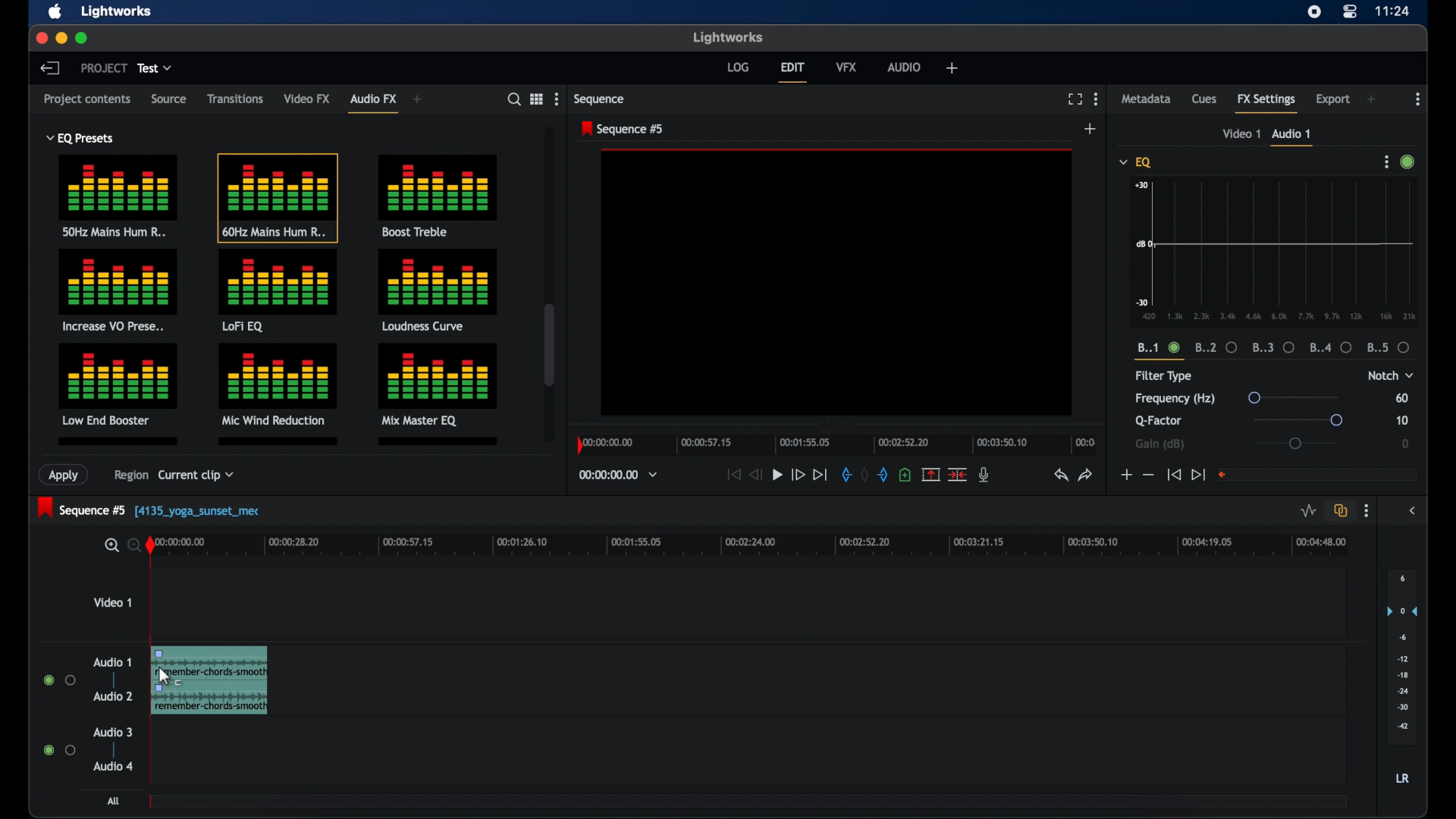 This screenshot has width=1456, height=819. What do you see at coordinates (131, 544) in the screenshot?
I see `zoom out` at bounding box center [131, 544].